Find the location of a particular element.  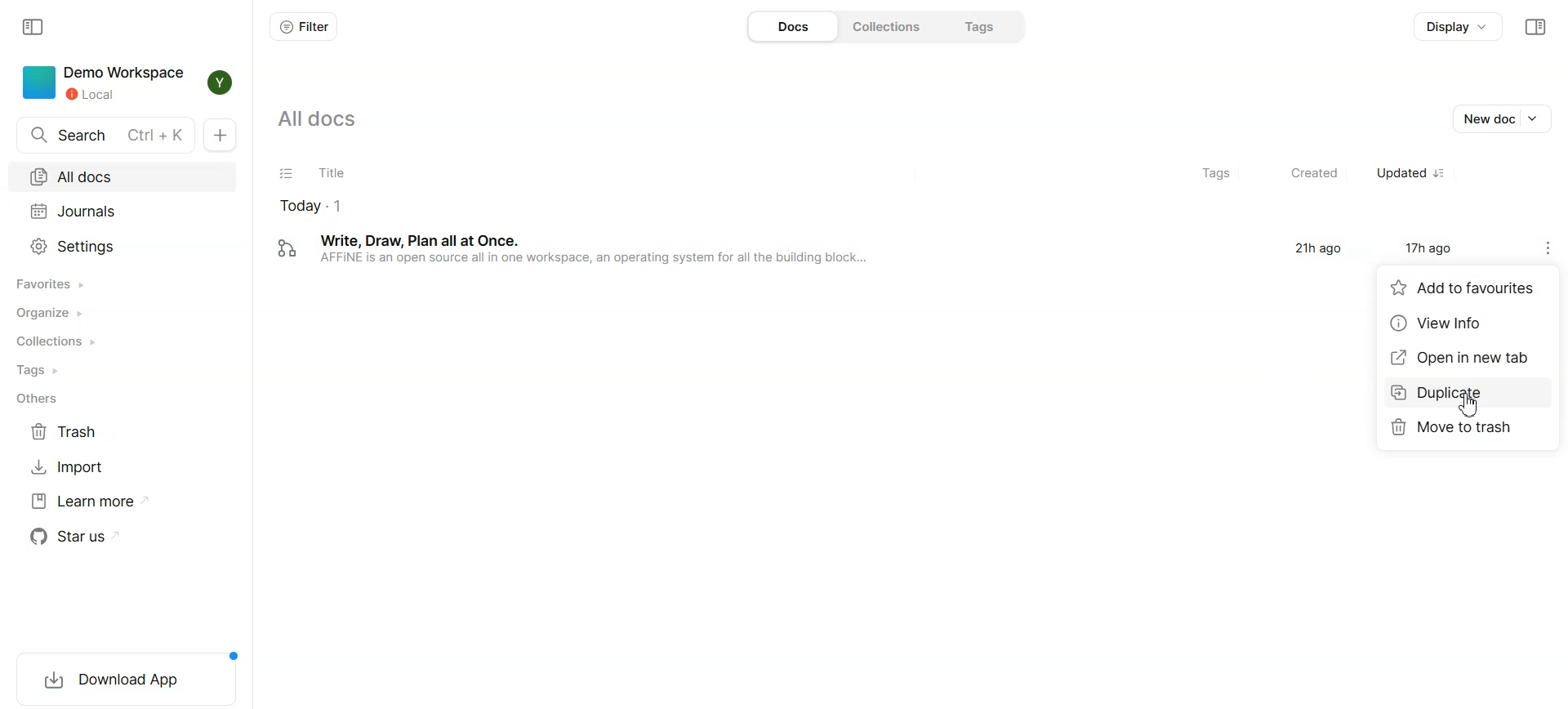

Add to favorites is located at coordinates (1467, 288).